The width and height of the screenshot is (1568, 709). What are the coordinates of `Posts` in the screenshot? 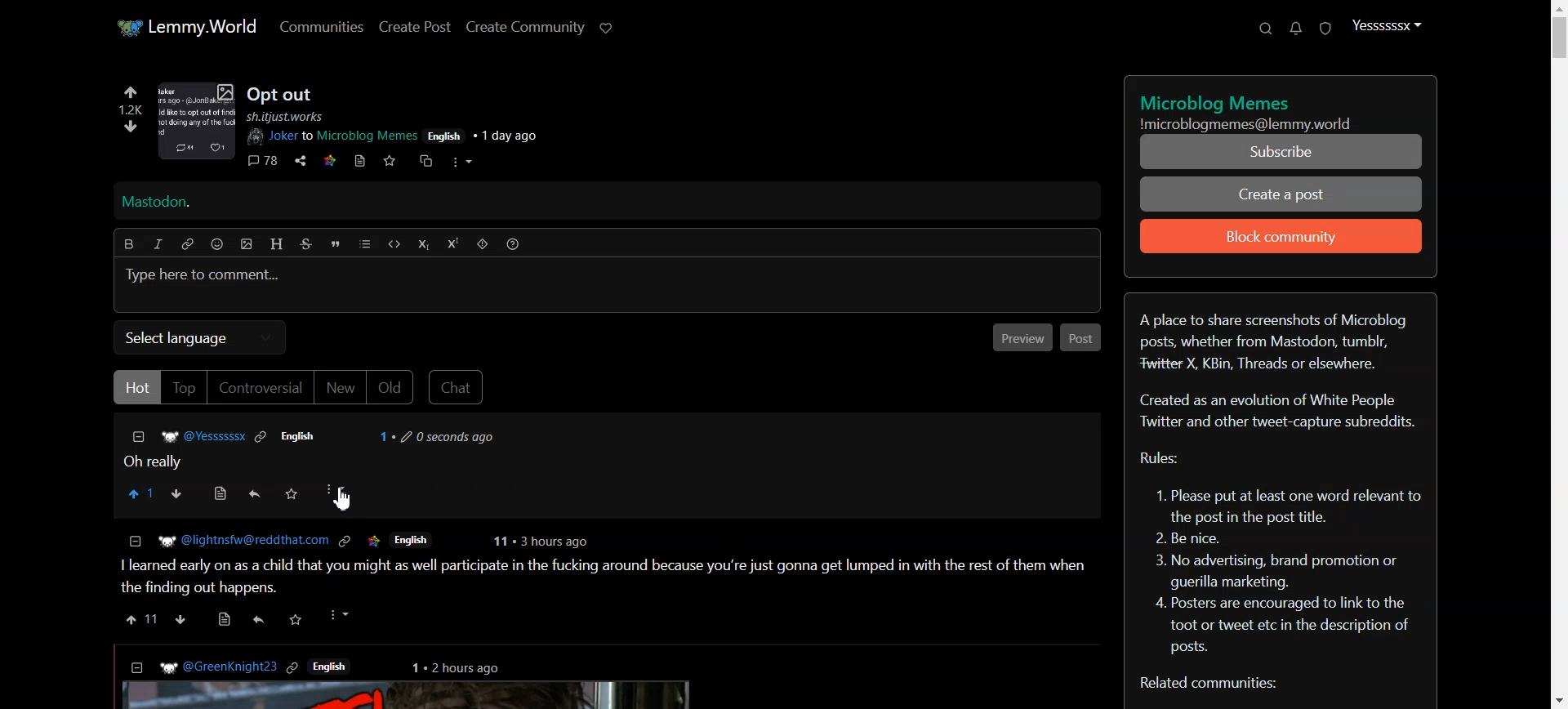 It's located at (601, 561).